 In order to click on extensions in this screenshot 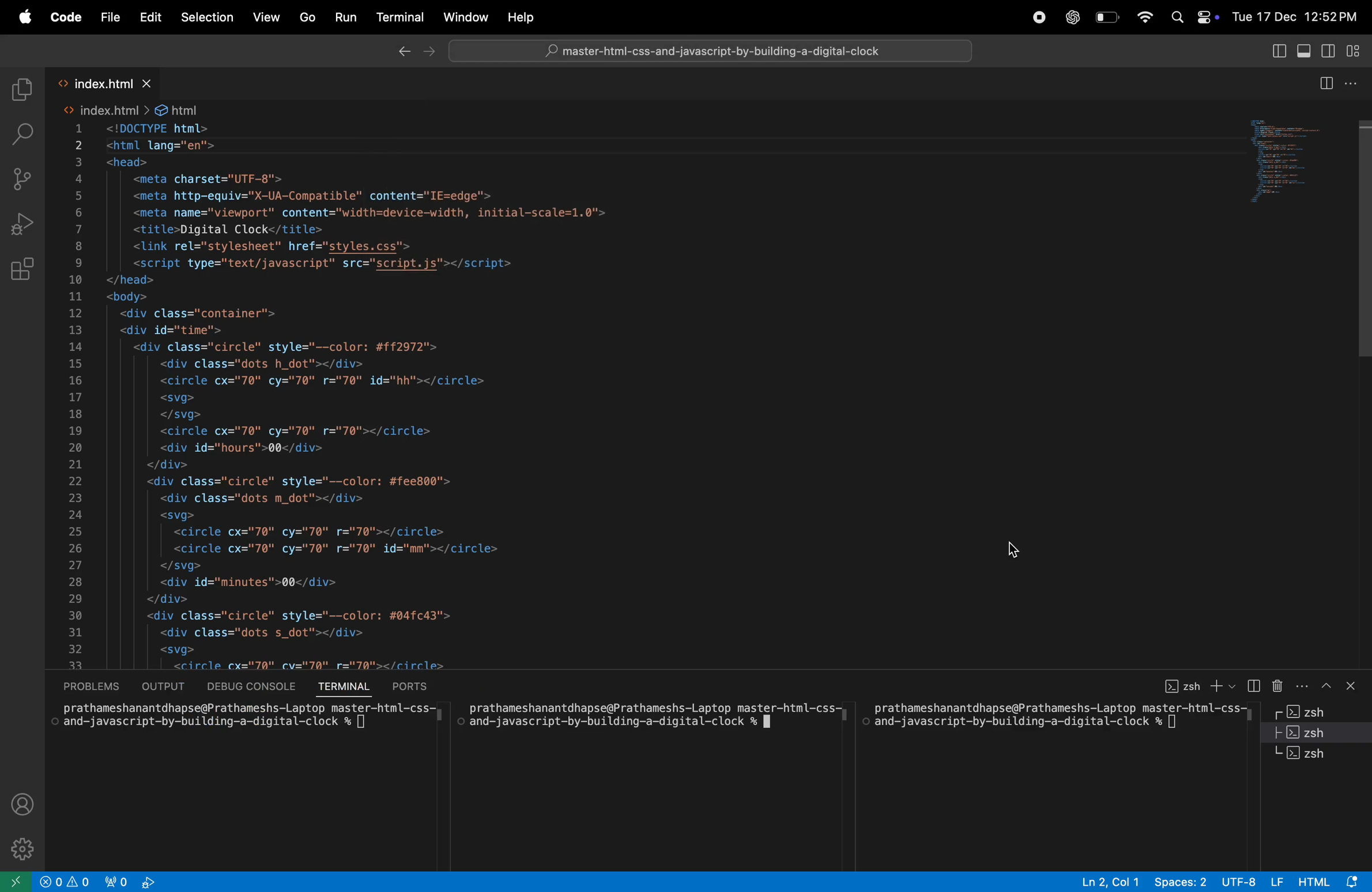, I will do `click(27, 266)`.